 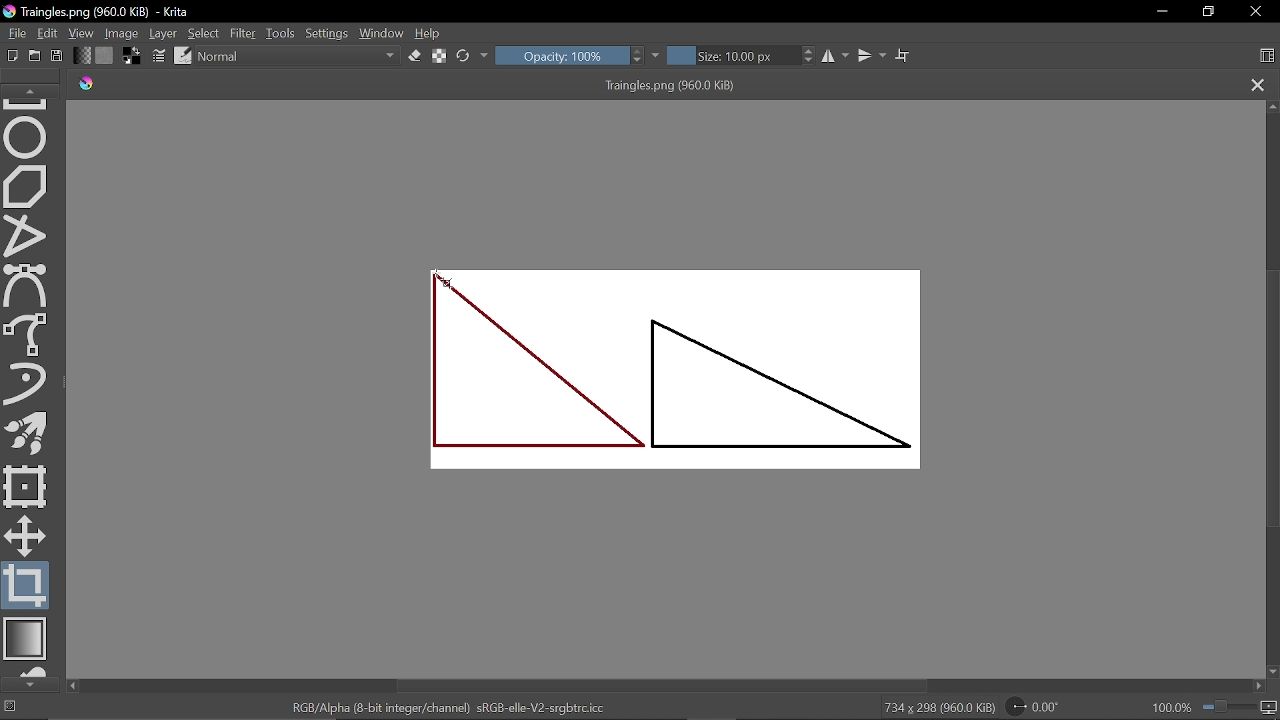 What do you see at coordinates (133, 55) in the screenshot?
I see `Foreground color` at bounding box center [133, 55].